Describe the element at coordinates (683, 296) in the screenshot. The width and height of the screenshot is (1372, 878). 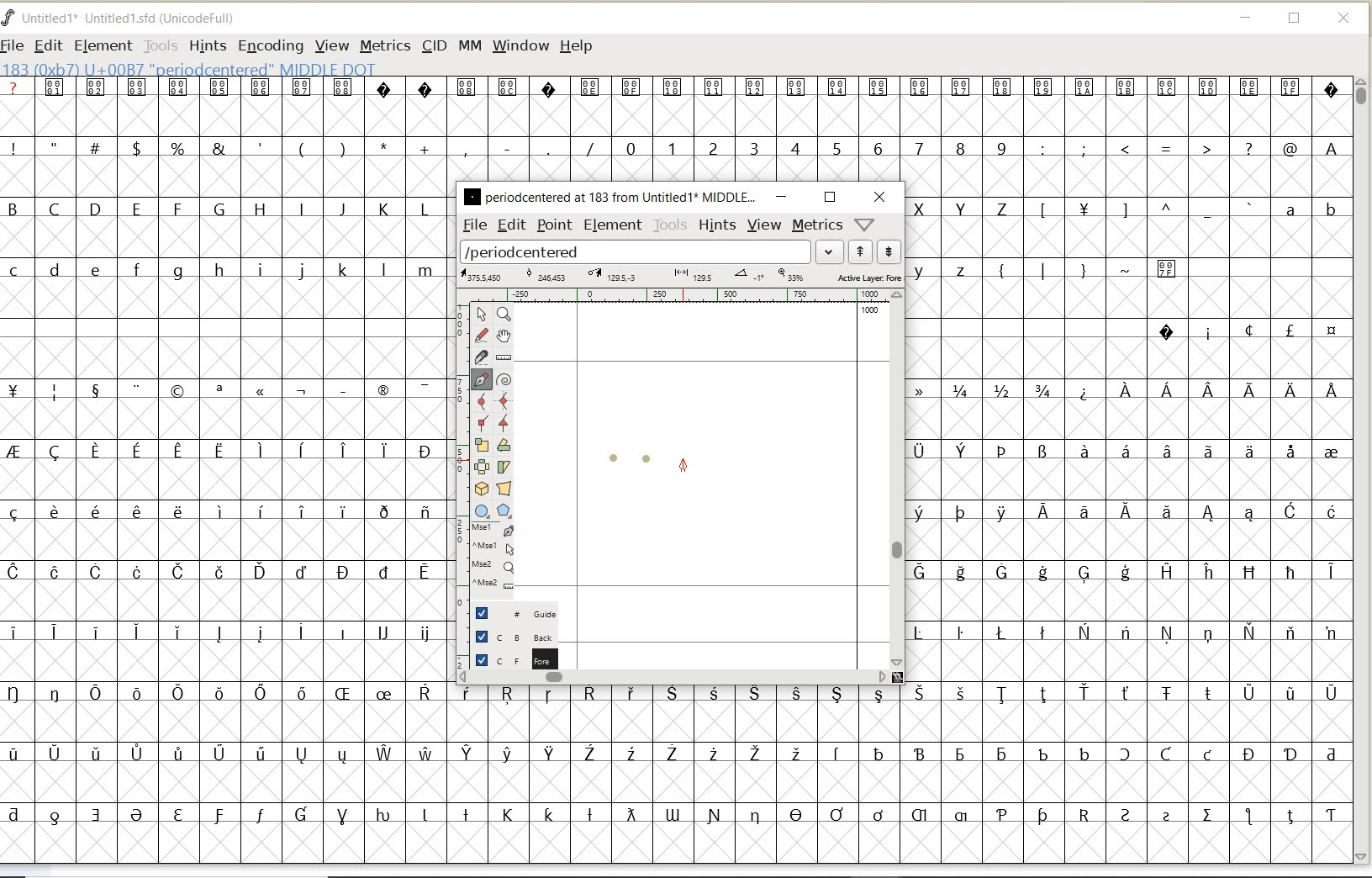
I see `ruler` at that location.